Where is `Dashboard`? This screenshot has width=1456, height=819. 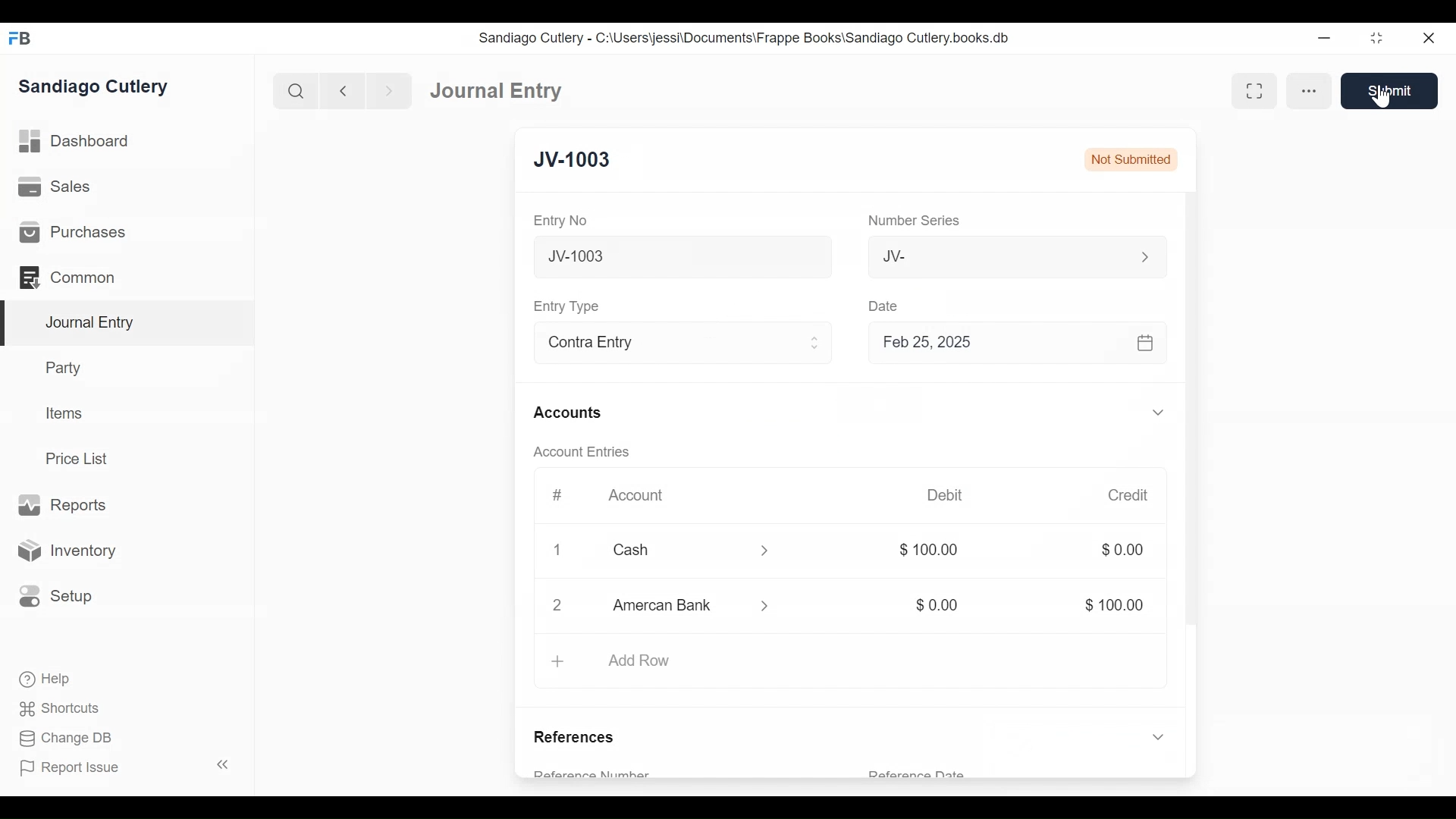 Dashboard is located at coordinates (80, 143).